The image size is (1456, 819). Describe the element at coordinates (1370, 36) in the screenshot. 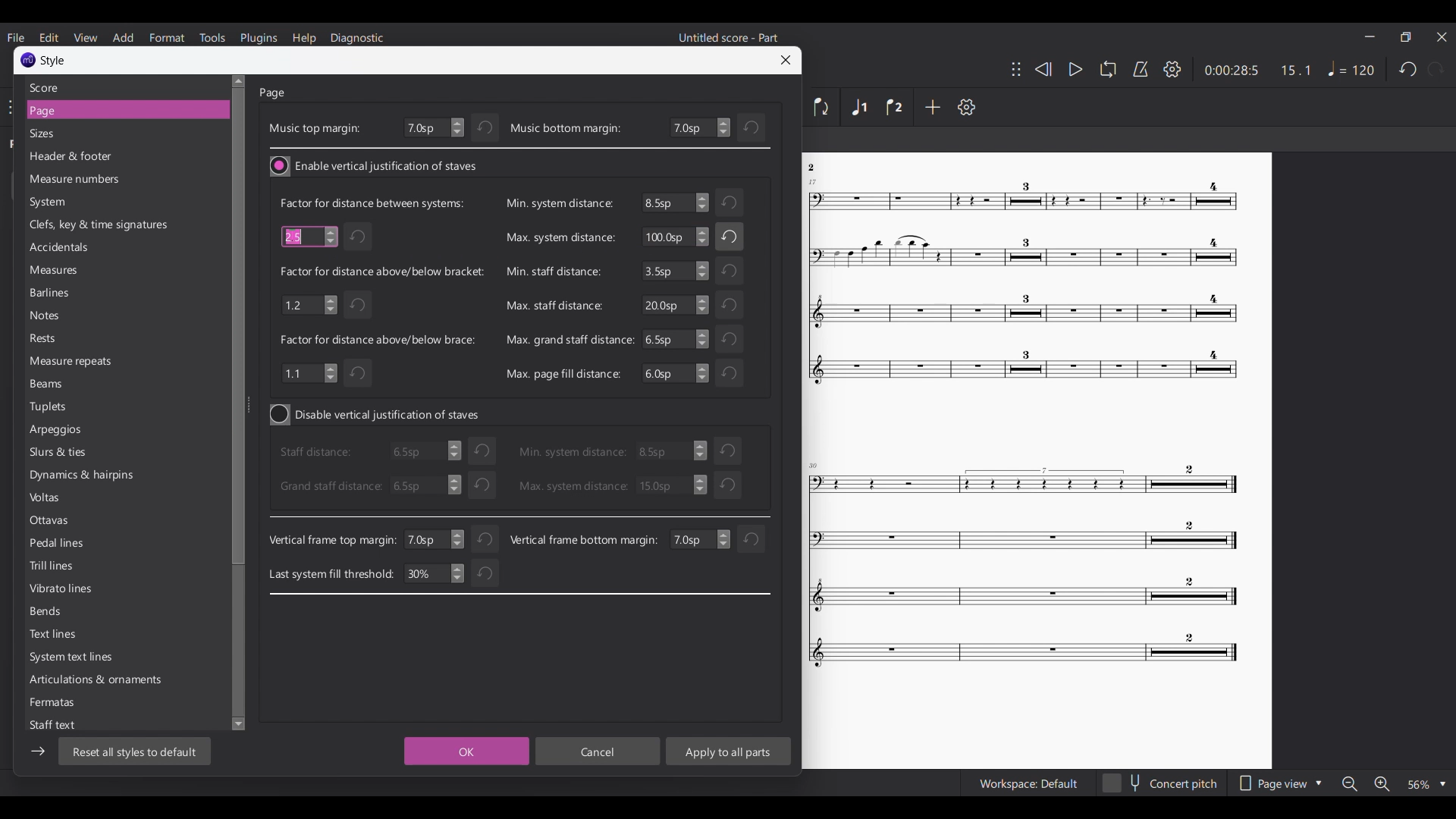

I see `Minimize` at that location.